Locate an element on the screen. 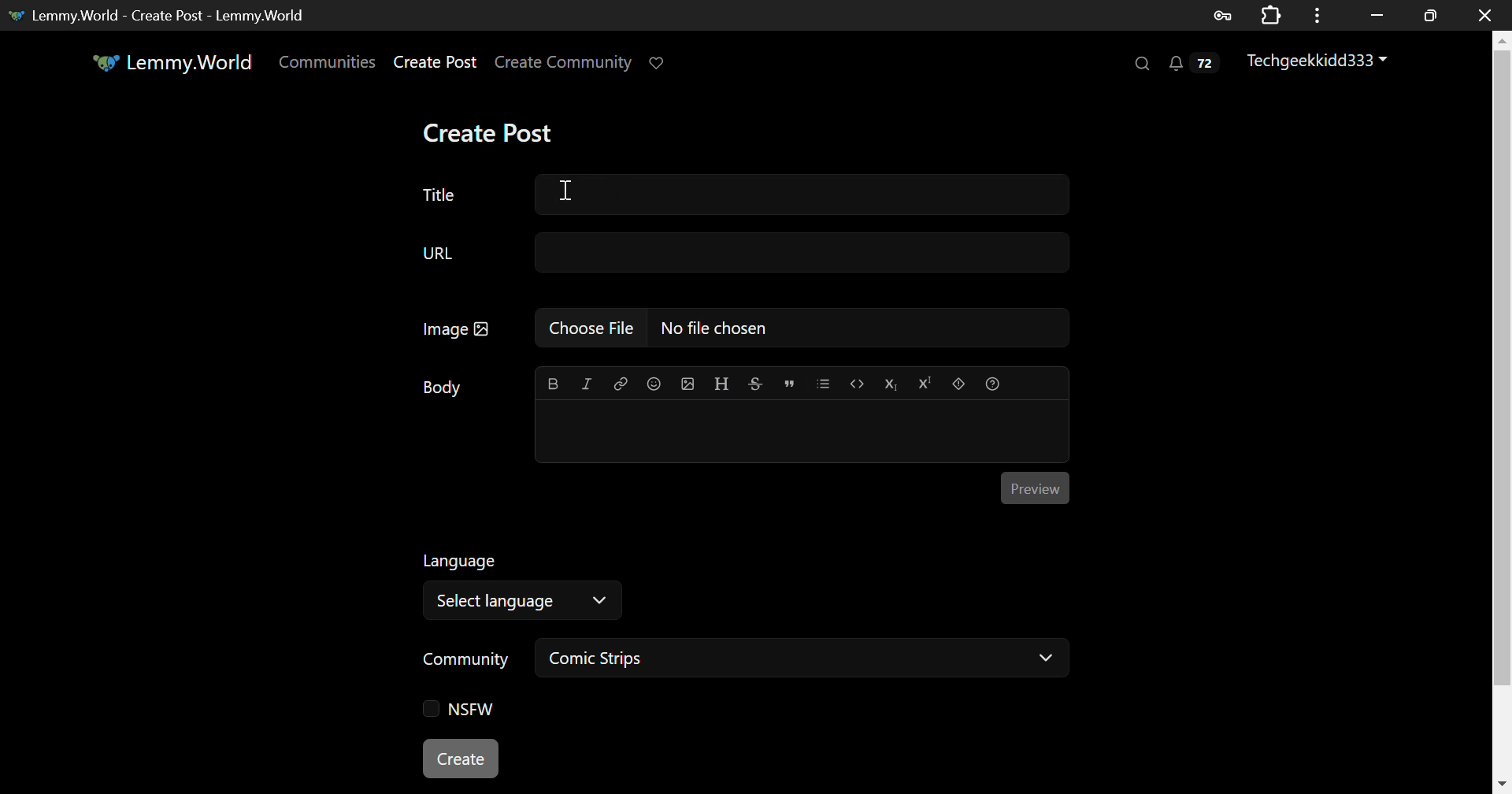  Close Window is located at coordinates (1488, 15).